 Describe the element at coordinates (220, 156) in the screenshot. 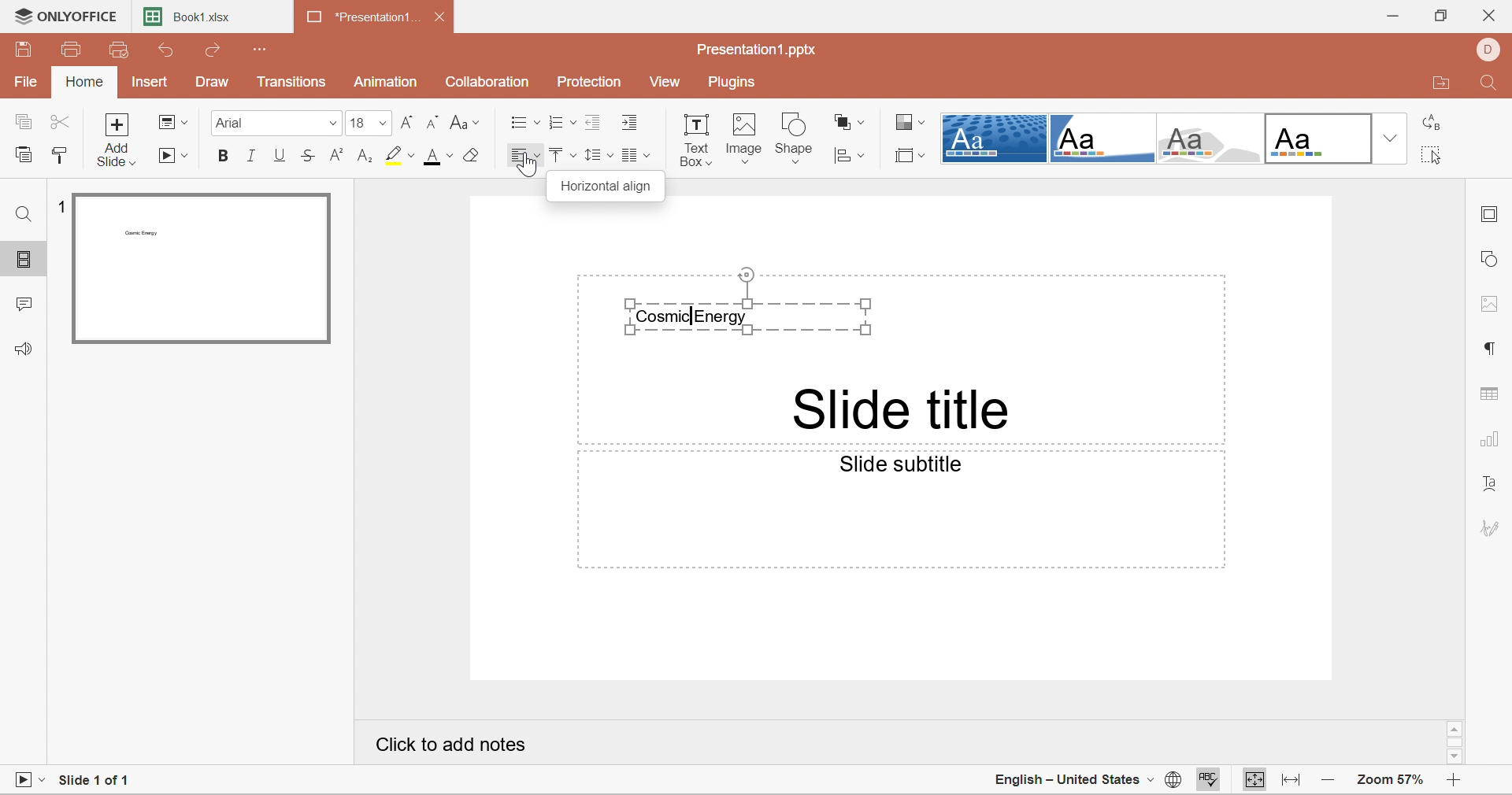

I see `Bold` at that location.